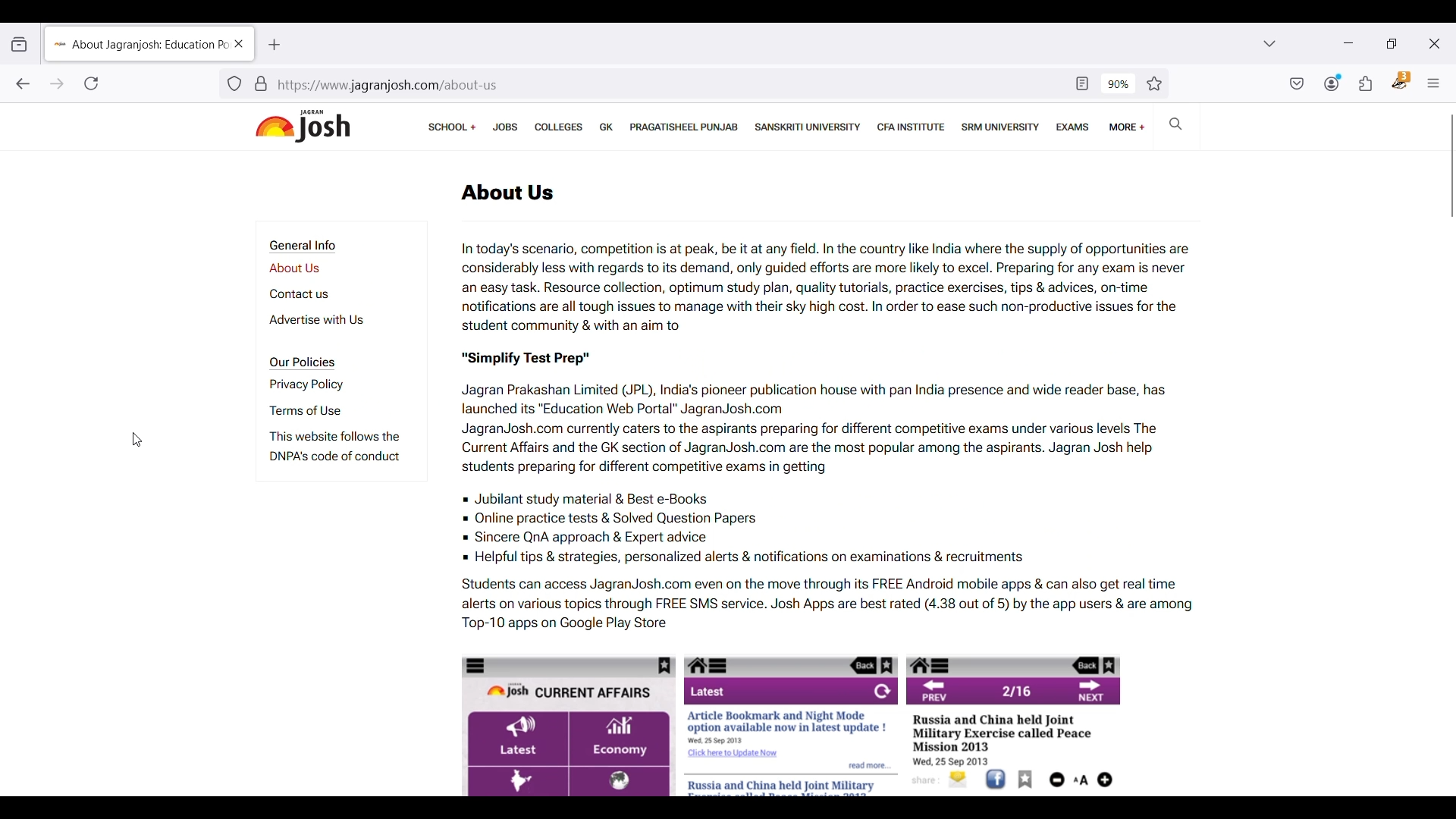 This screenshot has height=819, width=1456. What do you see at coordinates (817, 426) in the screenshot?
I see `Jagran Prakashan Limited (JPL), India’s pioneer publication house with pan India presence and wide reader base, has
launched its “Education Web Portal” JagranJosh.com

JagranJosh.com currently caters to the aspirants preparing for different competitive exams under various levels The
Current Affairs and the GK section of JagranJosh.com are the most popular among the aspirants. Jagran Josh help
students preparing for different competitive exams in getting` at bounding box center [817, 426].